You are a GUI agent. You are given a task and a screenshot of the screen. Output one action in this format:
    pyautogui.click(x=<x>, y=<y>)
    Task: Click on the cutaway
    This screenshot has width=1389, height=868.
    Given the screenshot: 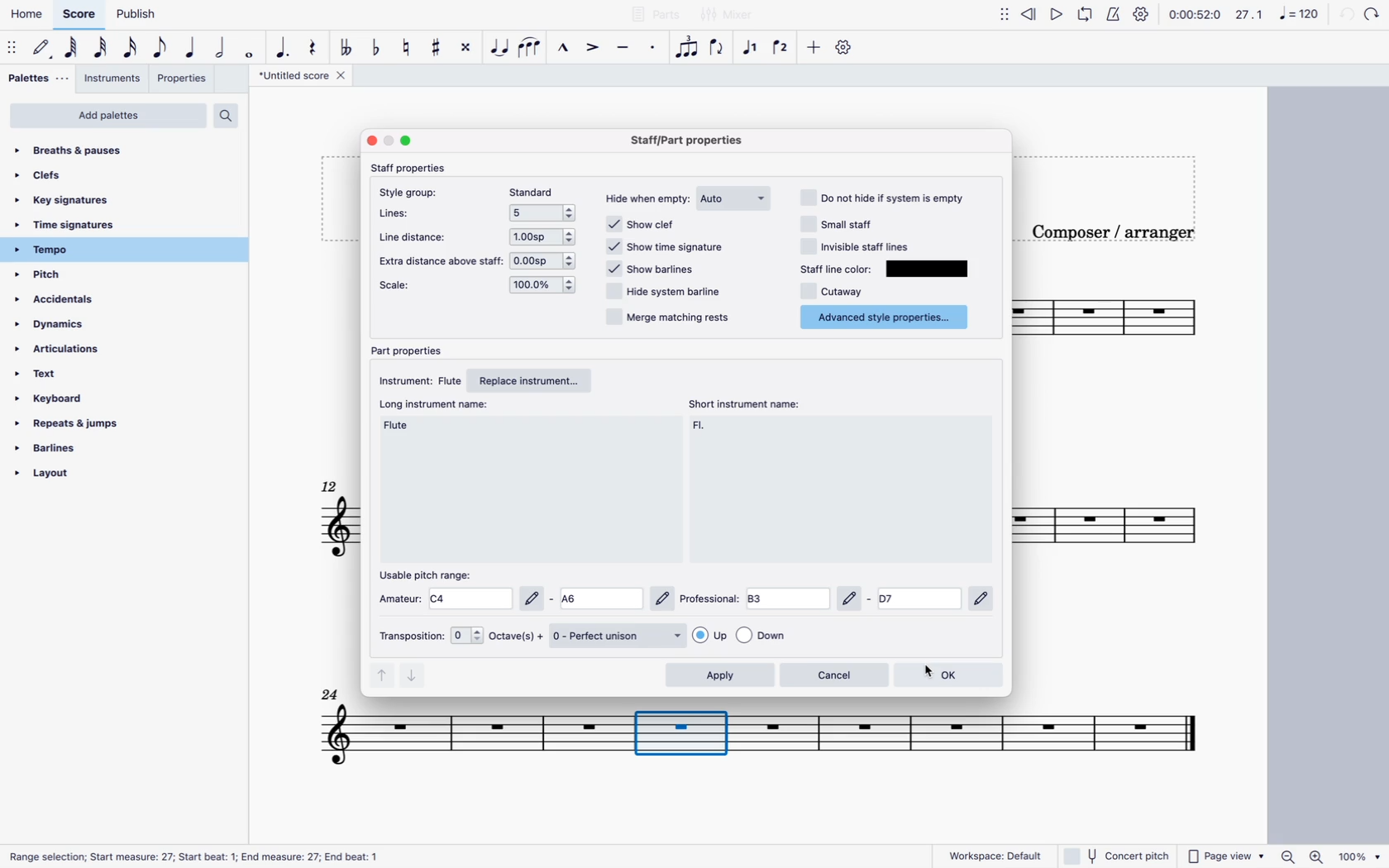 What is the action you would take?
    pyautogui.click(x=830, y=293)
    